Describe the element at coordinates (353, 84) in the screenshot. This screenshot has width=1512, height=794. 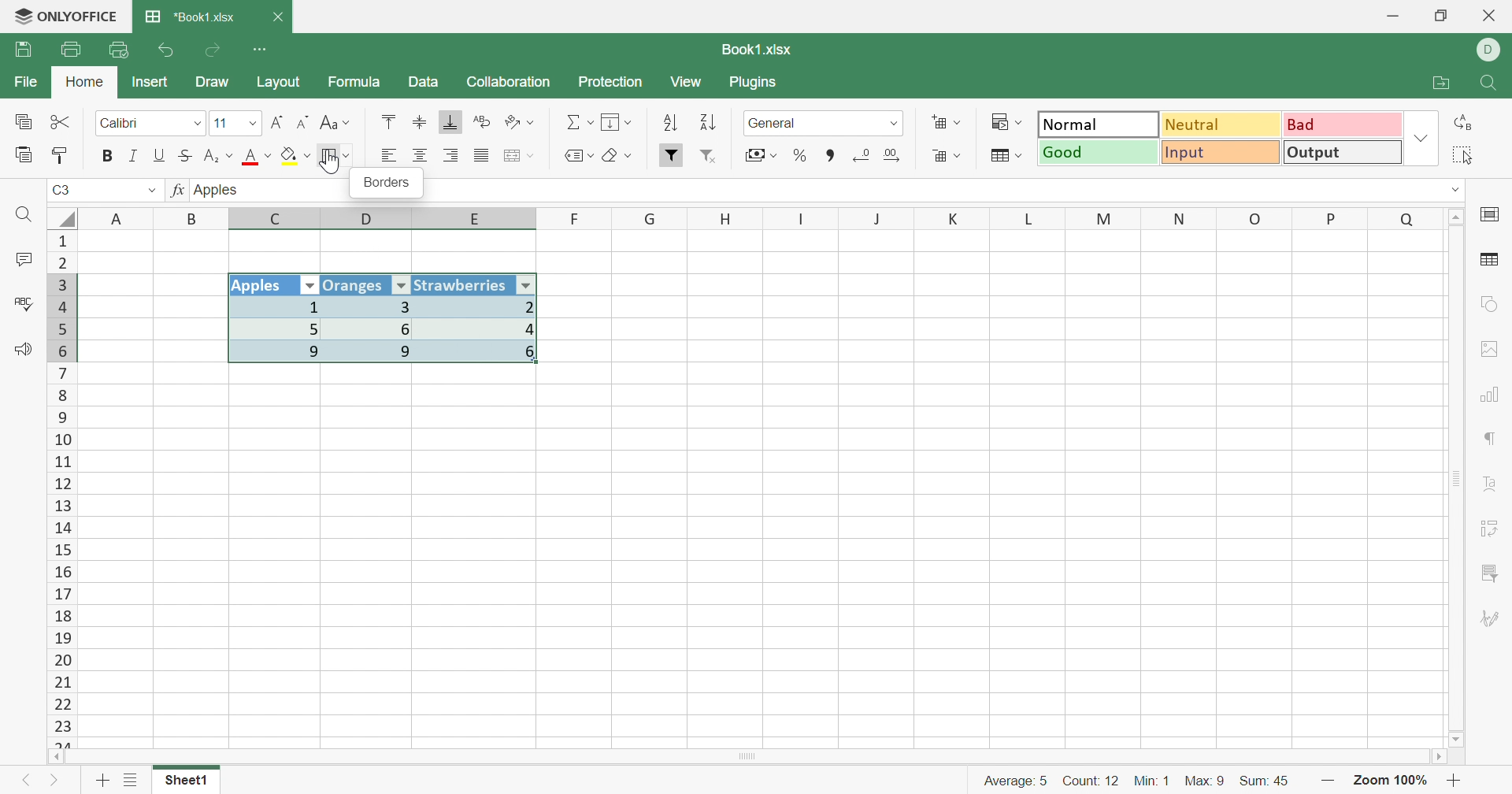
I see `Formula` at that location.